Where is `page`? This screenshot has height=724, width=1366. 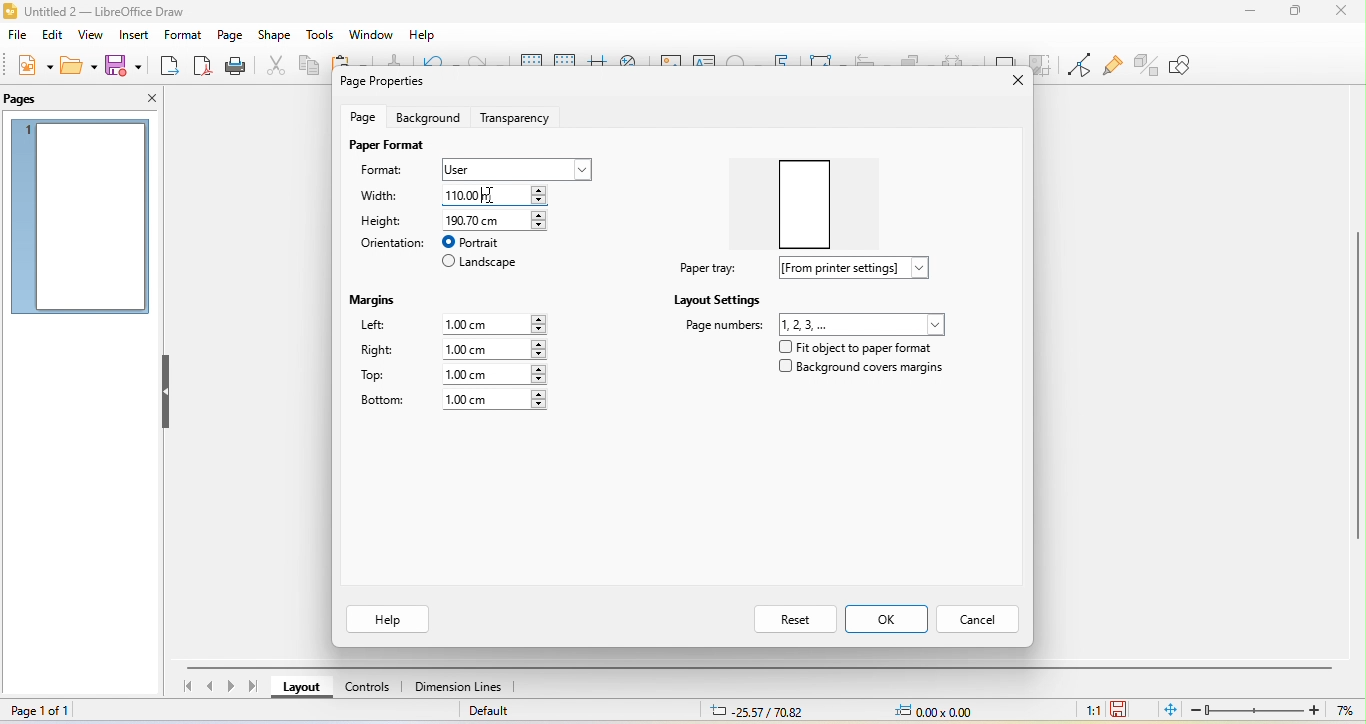 page is located at coordinates (366, 116).